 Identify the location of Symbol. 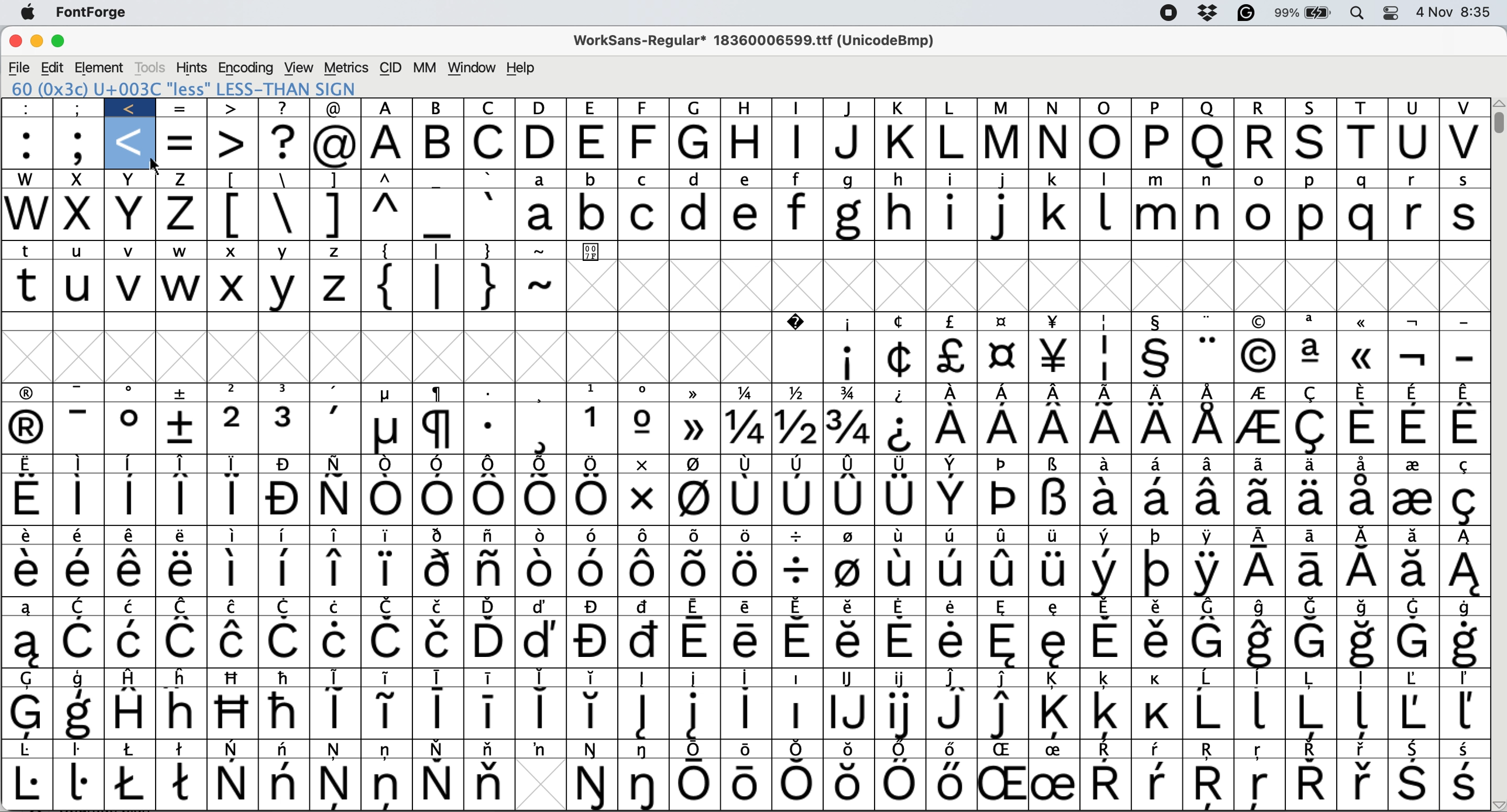
(902, 465).